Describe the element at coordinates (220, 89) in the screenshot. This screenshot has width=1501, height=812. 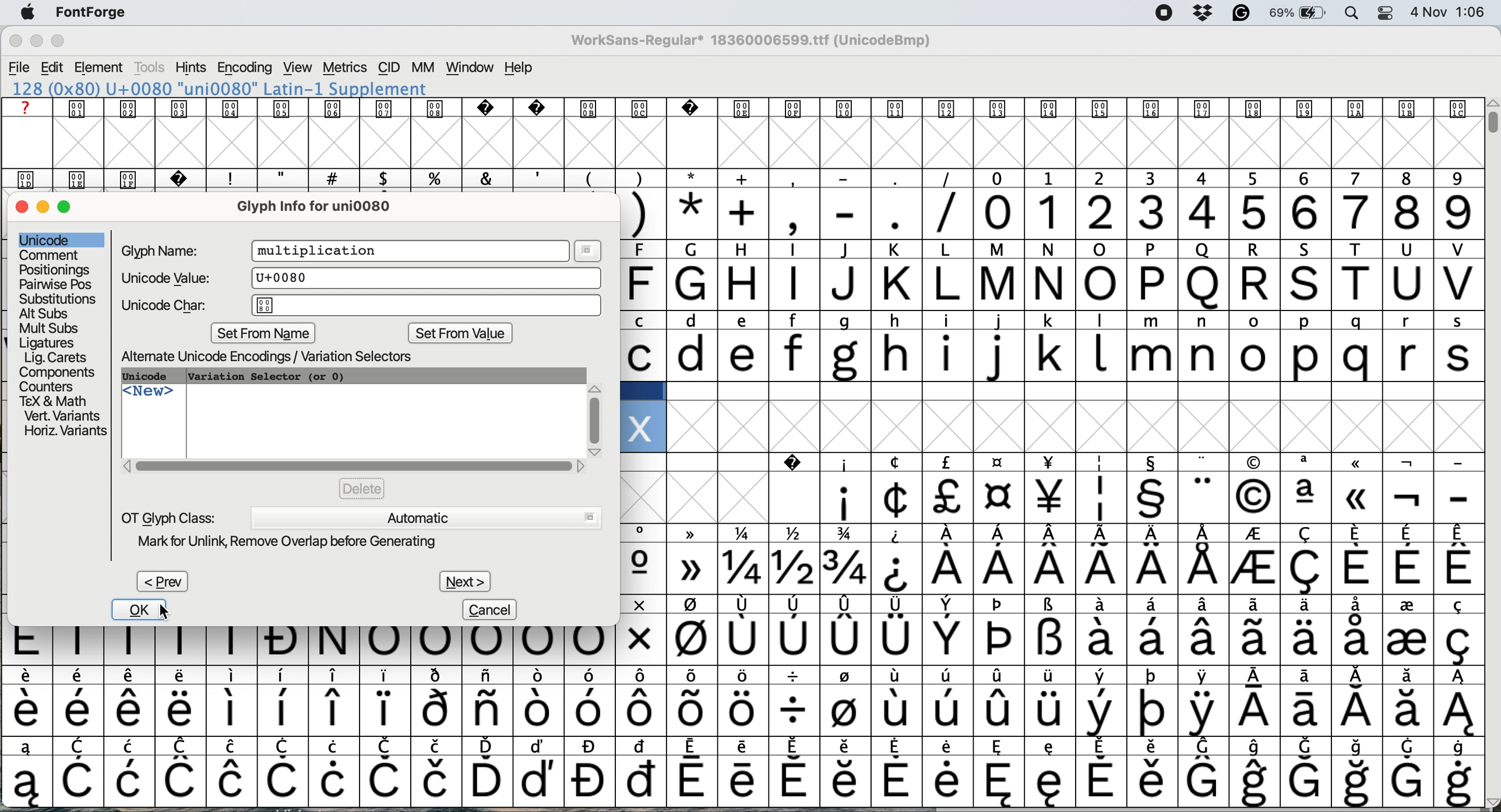
I see `120 (0x78) U+0078 "x" LATIN SMALL LETTER X` at that location.